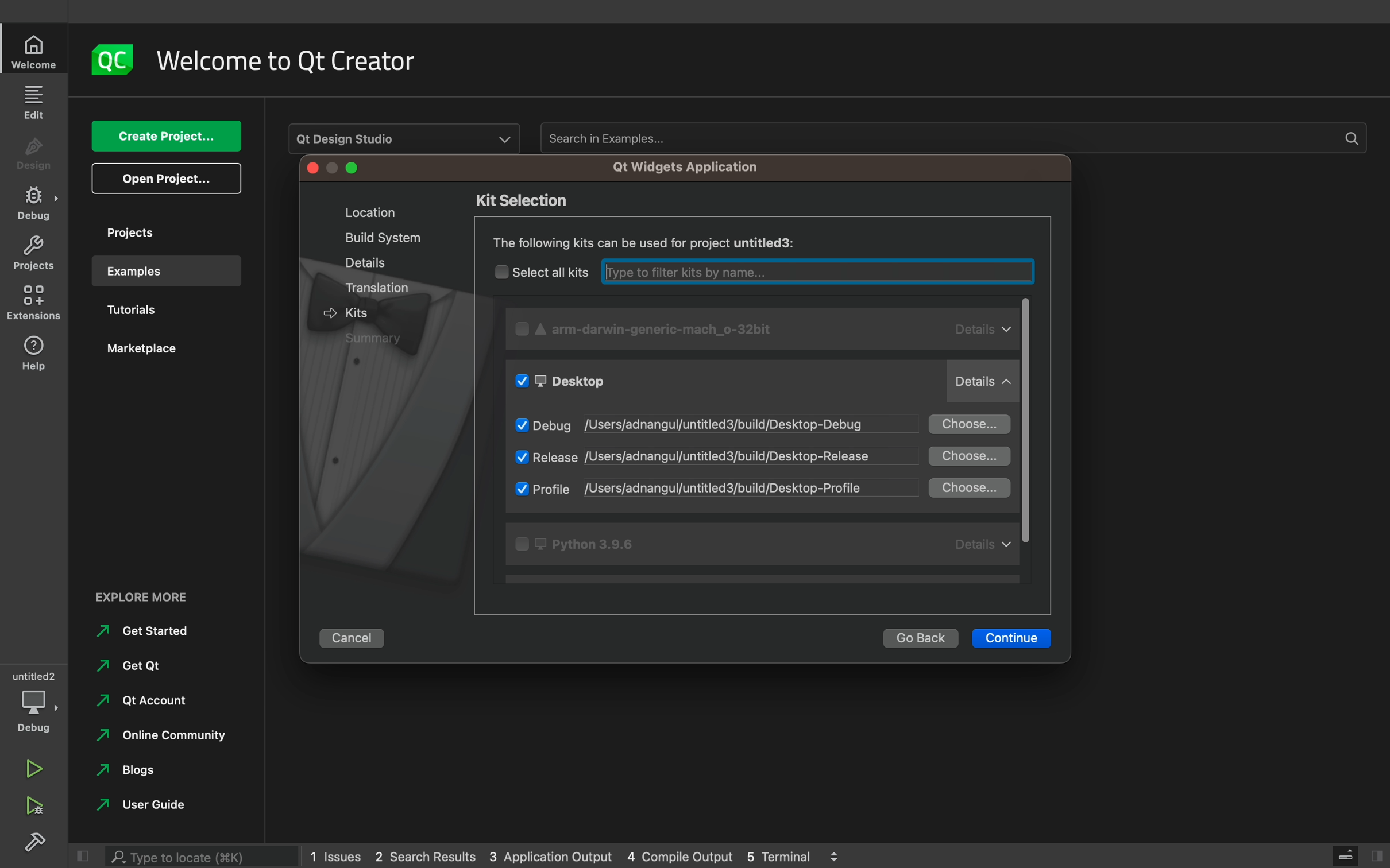 The image size is (1390, 868). What do you see at coordinates (159, 354) in the screenshot?
I see `marketplace` at bounding box center [159, 354].